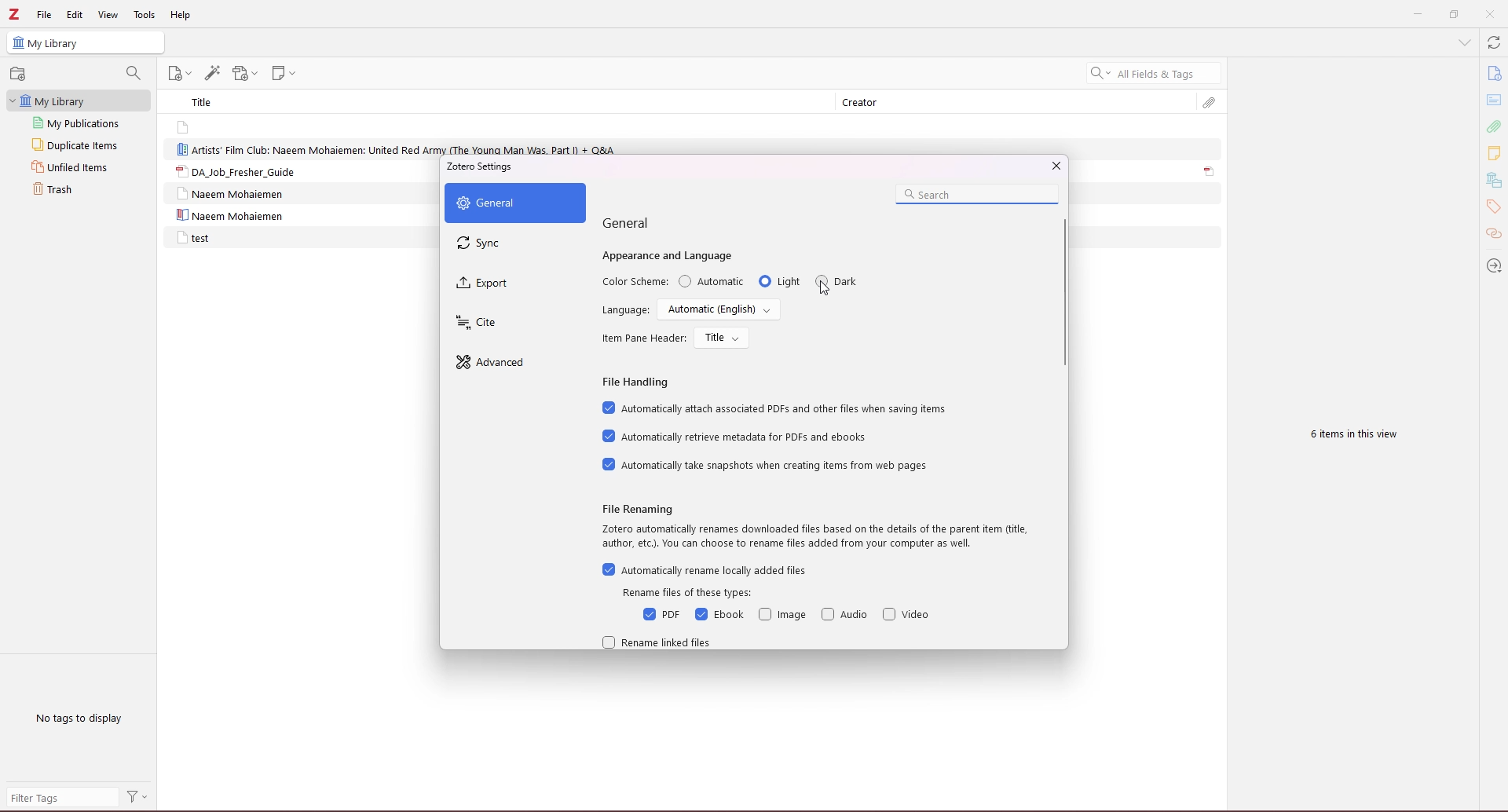 This screenshot has height=812, width=1508. What do you see at coordinates (20, 74) in the screenshot?
I see `add item` at bounding box center [20, 74].